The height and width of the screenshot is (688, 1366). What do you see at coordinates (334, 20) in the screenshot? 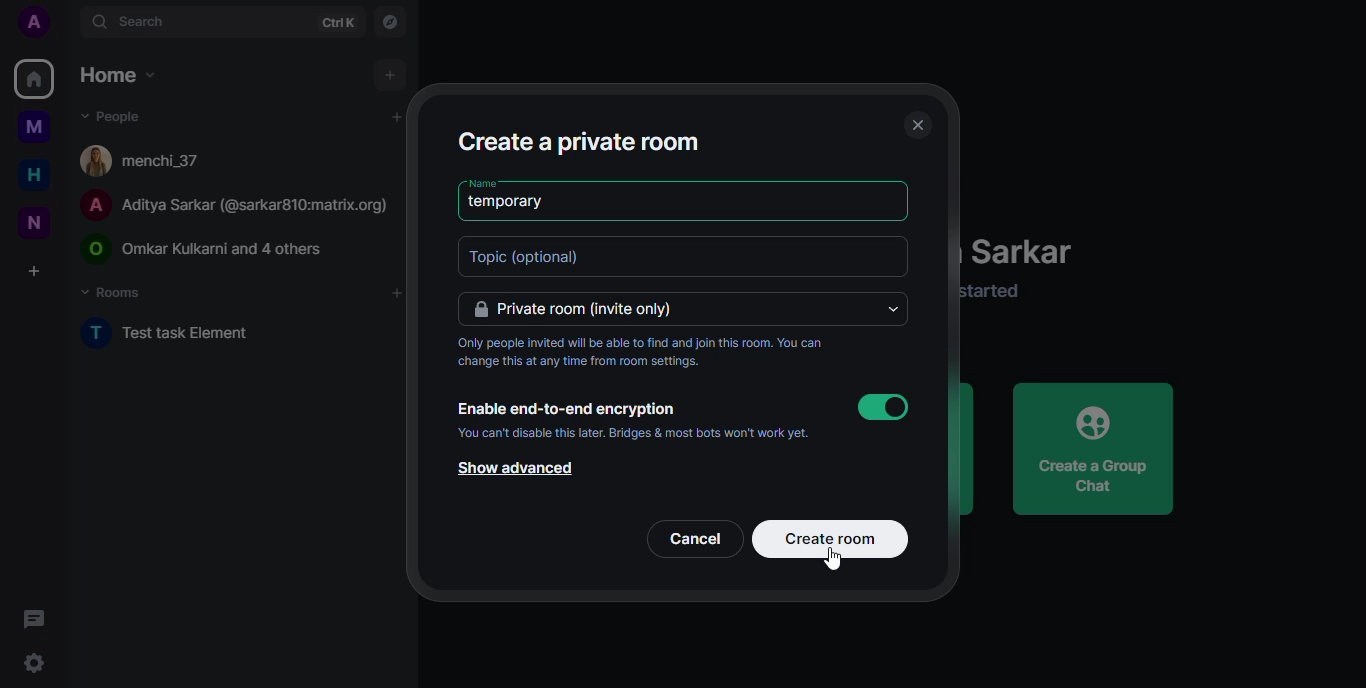
I see `ctrlK` at bounding box center [334, 20].